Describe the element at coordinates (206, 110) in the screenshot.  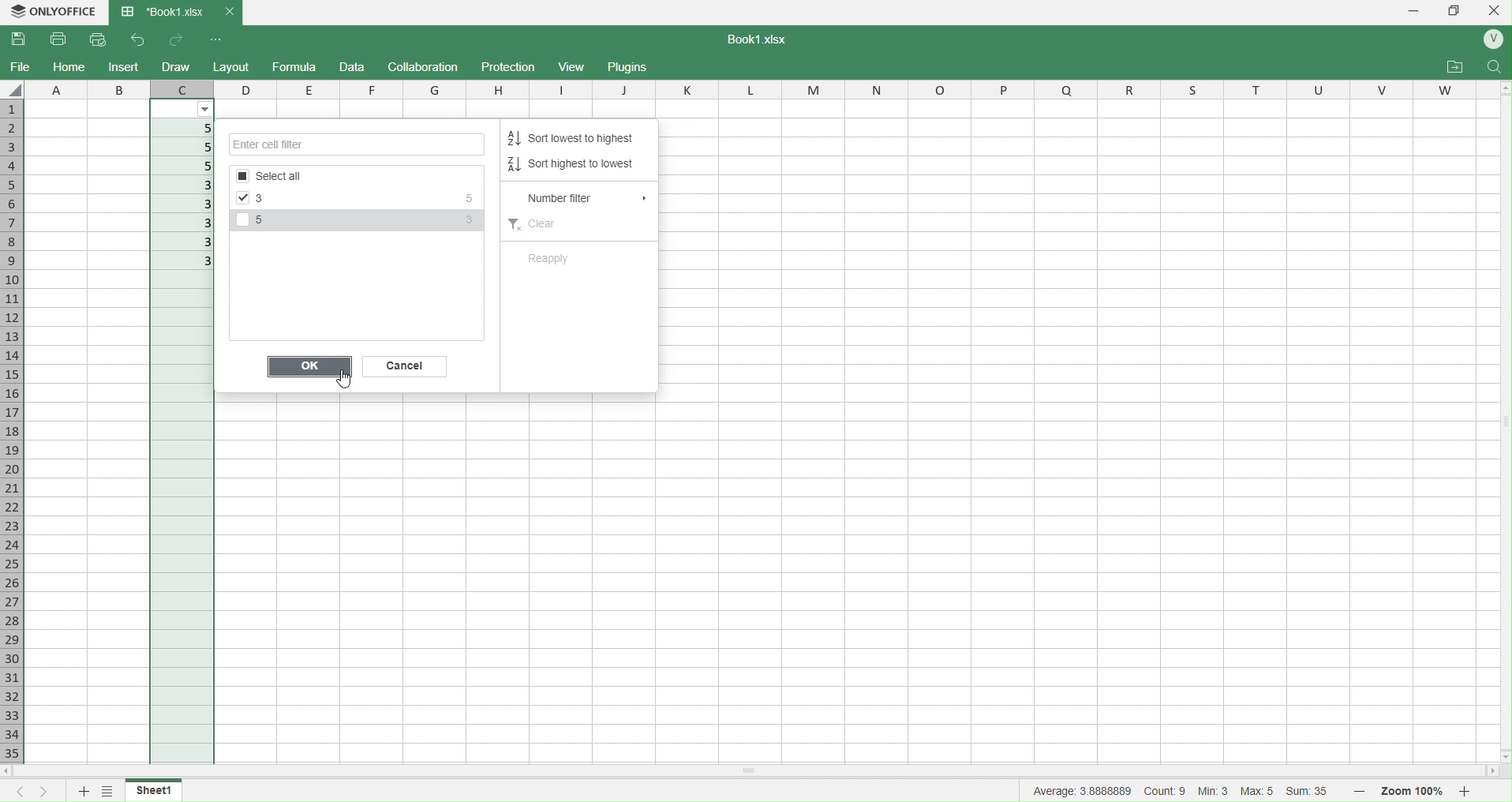
I see `Filter` at that location.